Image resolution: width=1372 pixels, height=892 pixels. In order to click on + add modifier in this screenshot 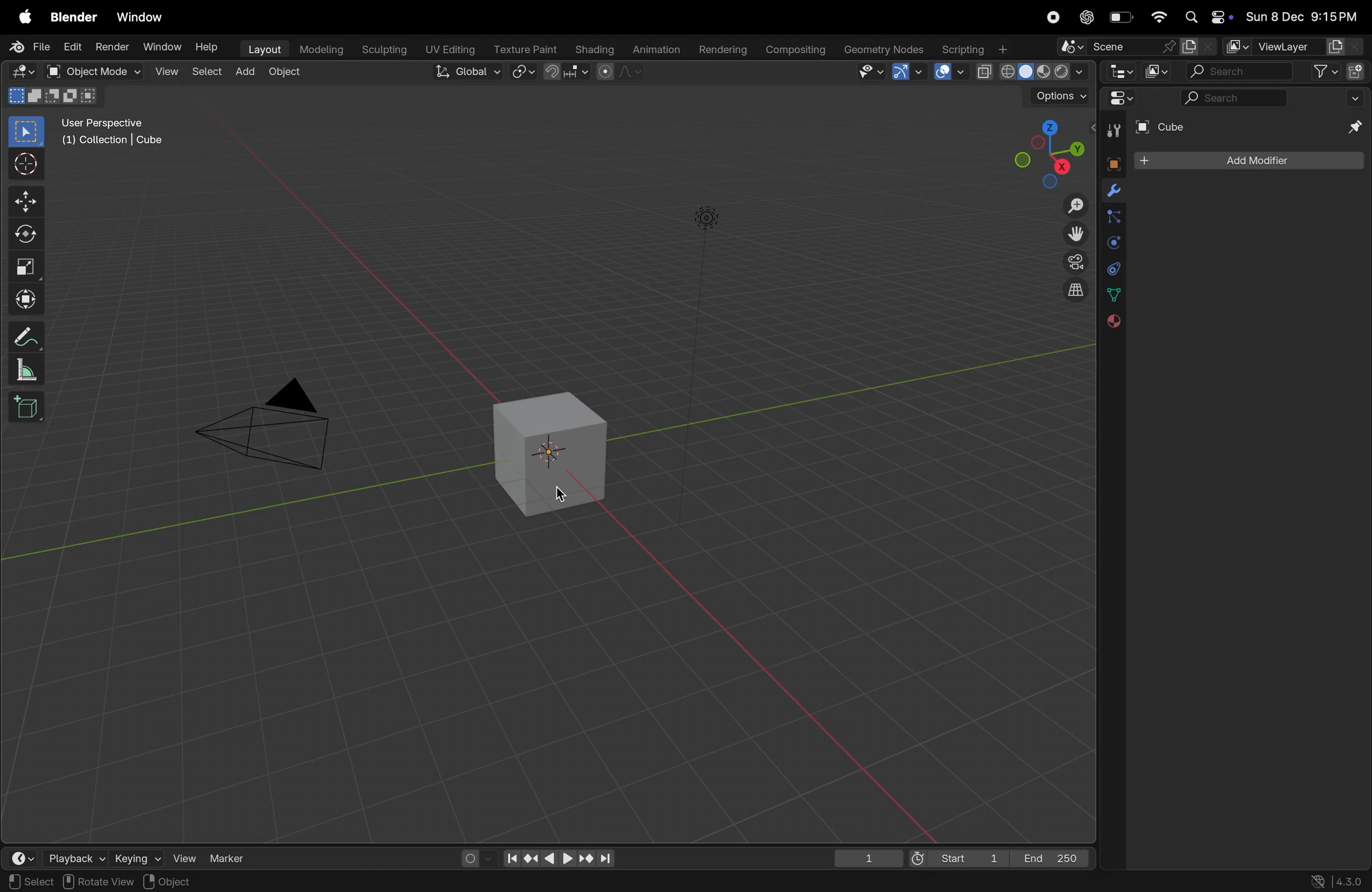, I will do `click(1248, 162)`.